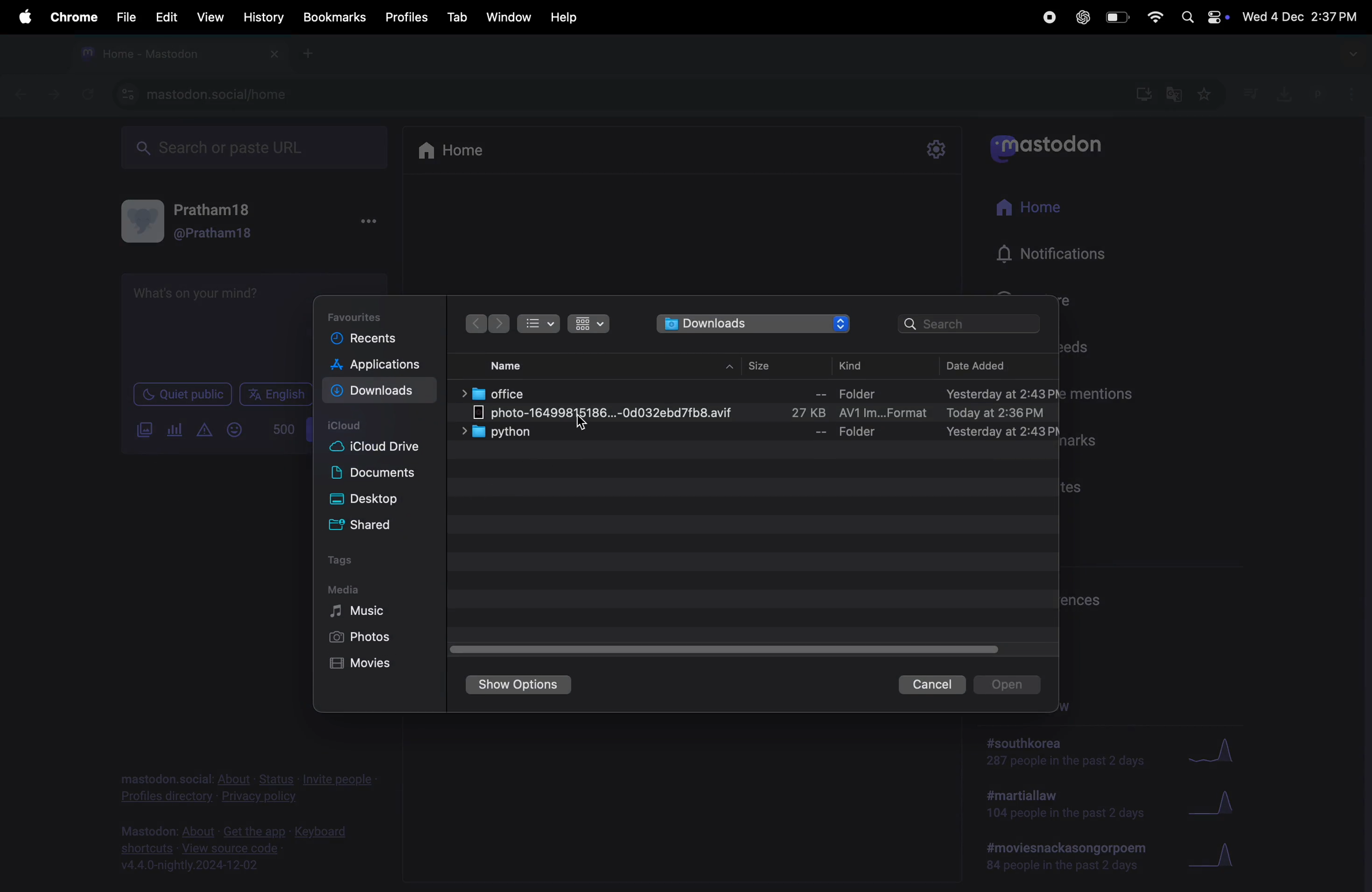 This screenshot has height=892, width=1372. Describe the element at coordinates (240, 848) in the screenshot. I see `view source code` at that location.